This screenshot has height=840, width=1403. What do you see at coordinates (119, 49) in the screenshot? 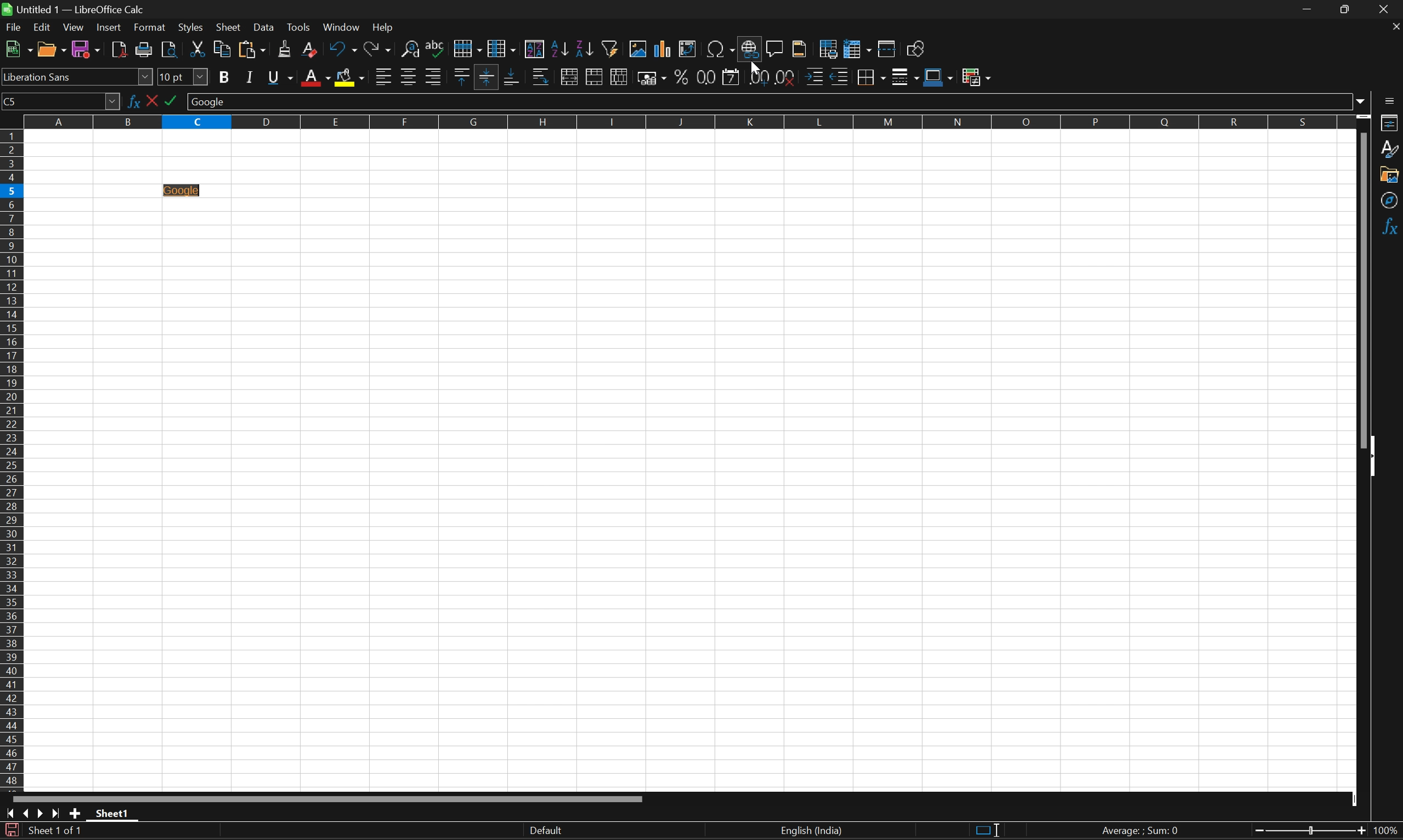
I see `Export directly as PDF` at bounding box center [119, 49].